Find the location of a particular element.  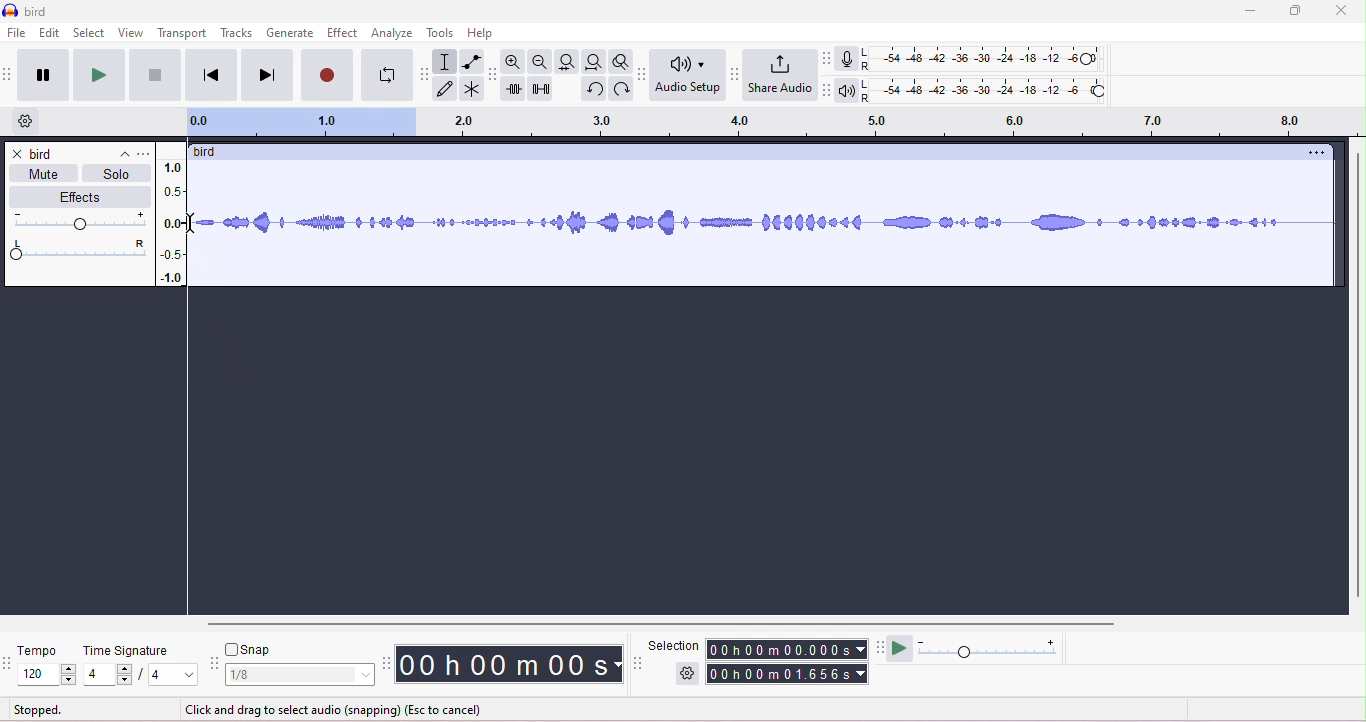

tools tool bar is located at coordinates (423, 73).